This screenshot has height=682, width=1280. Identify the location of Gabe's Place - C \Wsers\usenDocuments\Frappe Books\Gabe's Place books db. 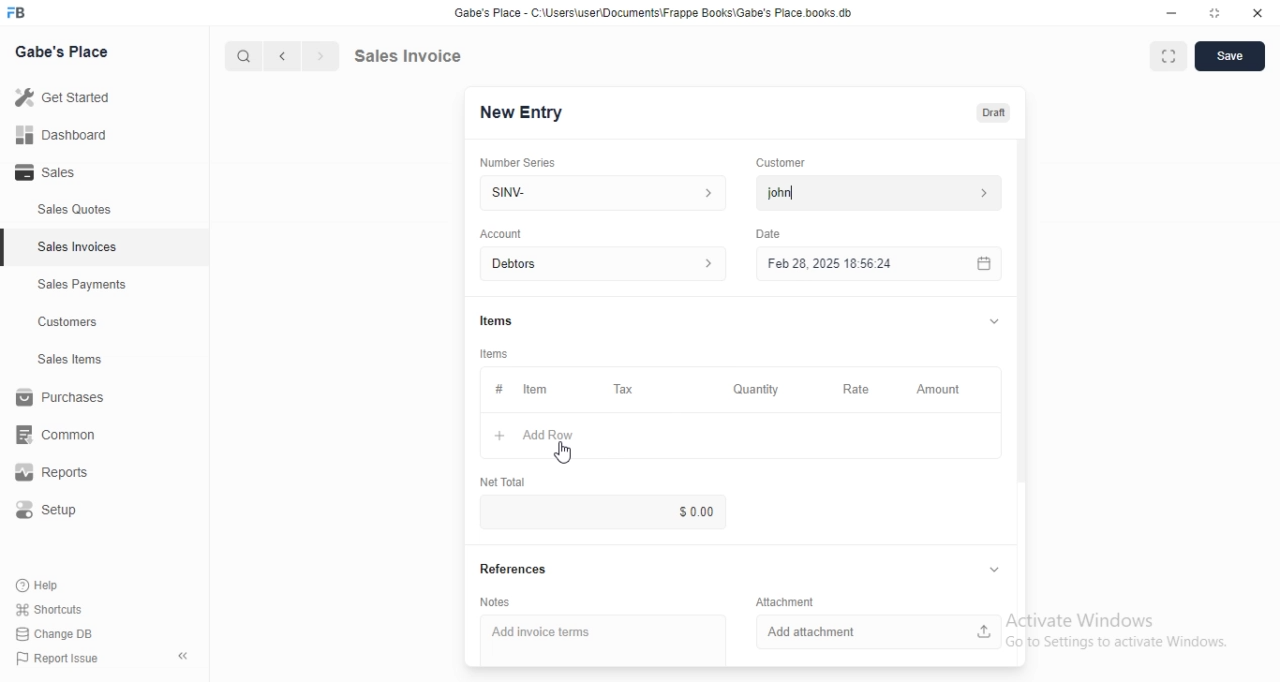
(658, 16).